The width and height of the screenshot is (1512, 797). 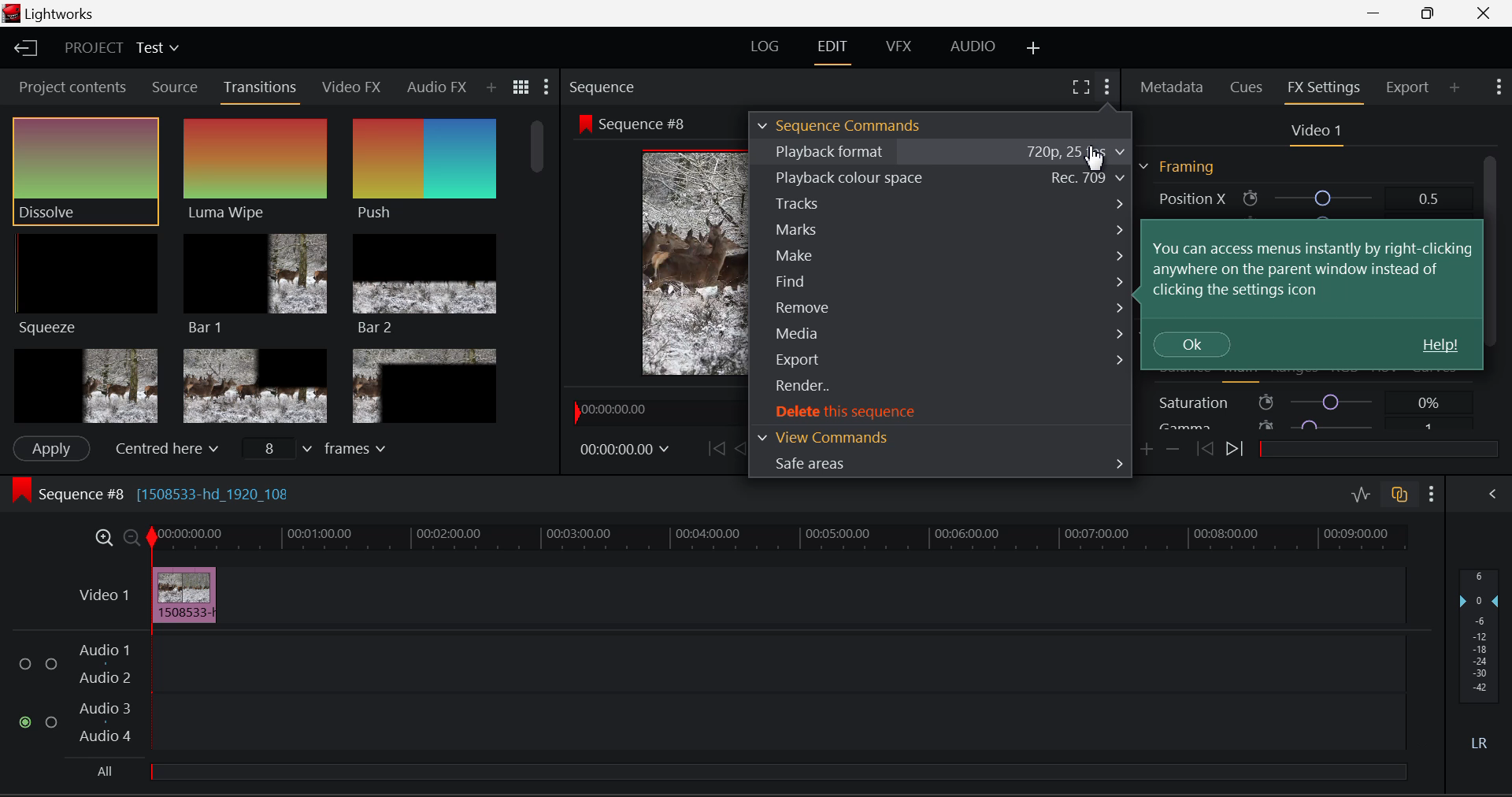 What do you see at coordinates (255, 385) in the screenshot?
I see `Box 2` at bounding box center [255, 385].